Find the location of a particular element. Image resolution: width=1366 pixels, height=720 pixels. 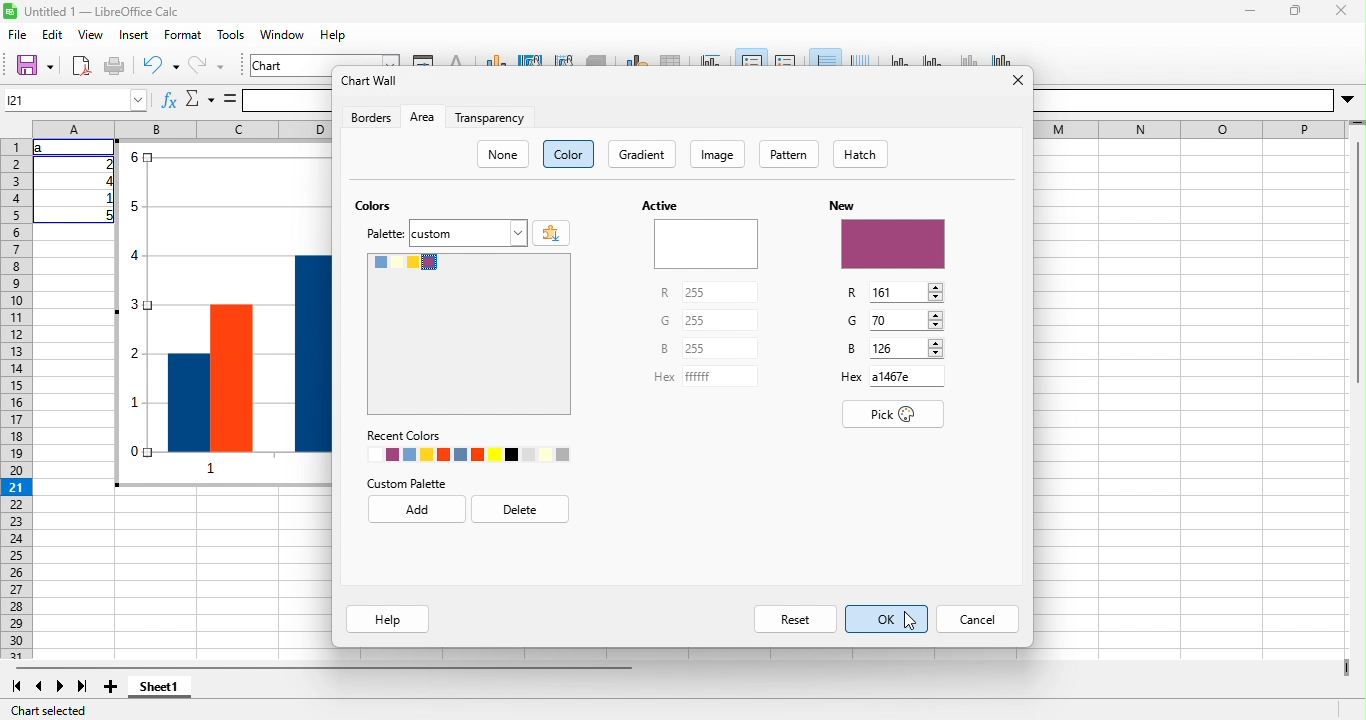

Increase/Decrease B value is located at coordinates (936, 348).